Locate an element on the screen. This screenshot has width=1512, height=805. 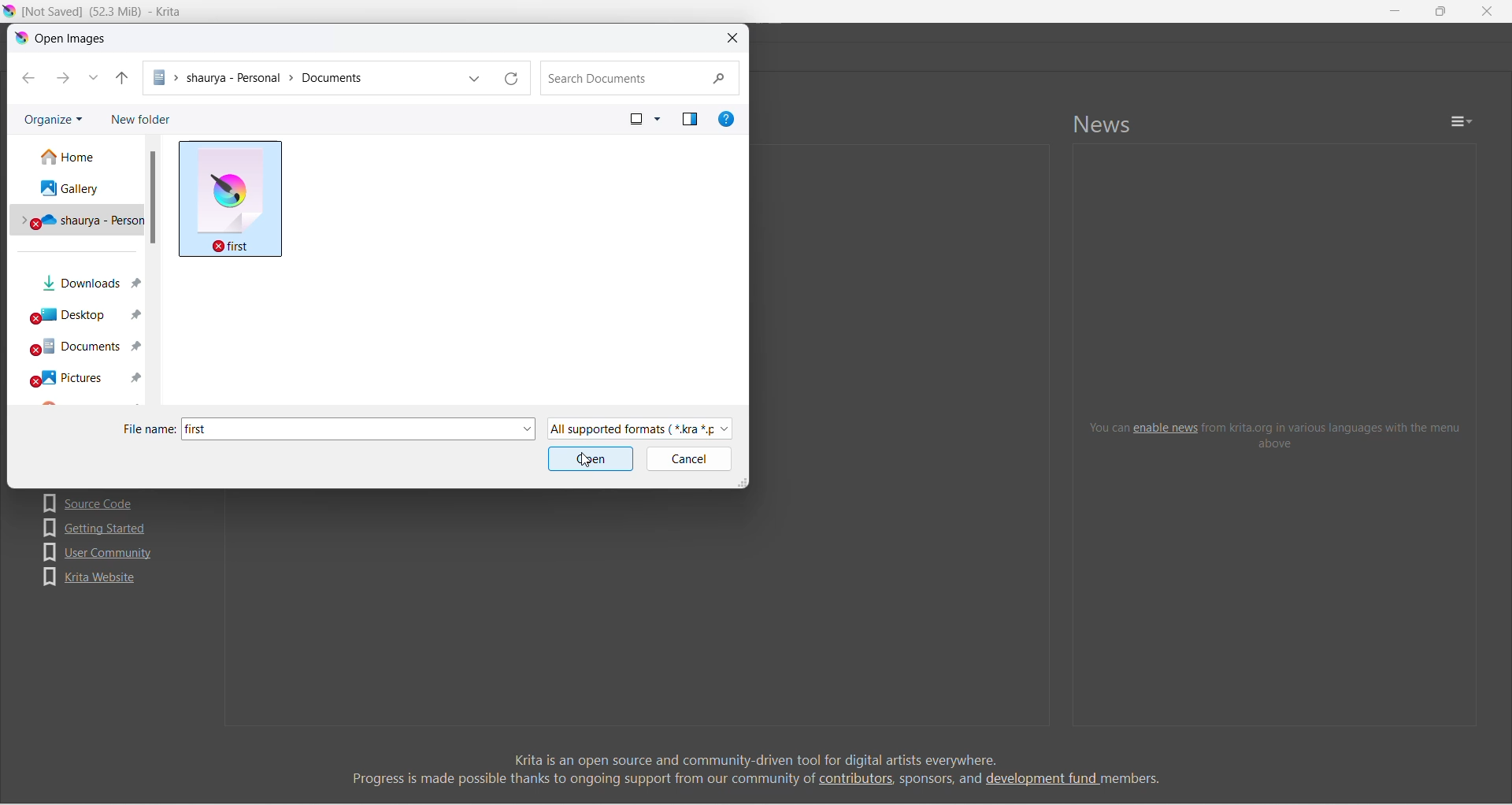
open is located at coordinates (591, 459).